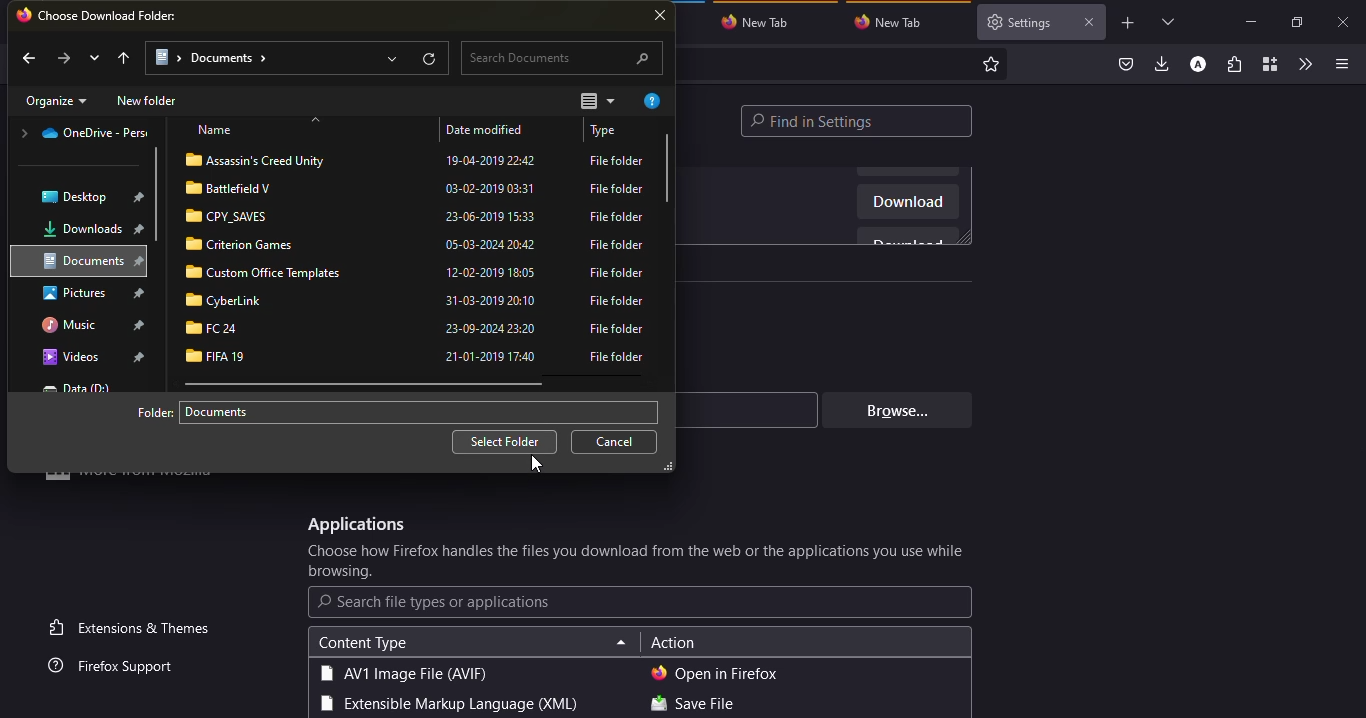  Describe the element at coordinates (1250, 21) in the screenshot. I see `minimize` at that location.